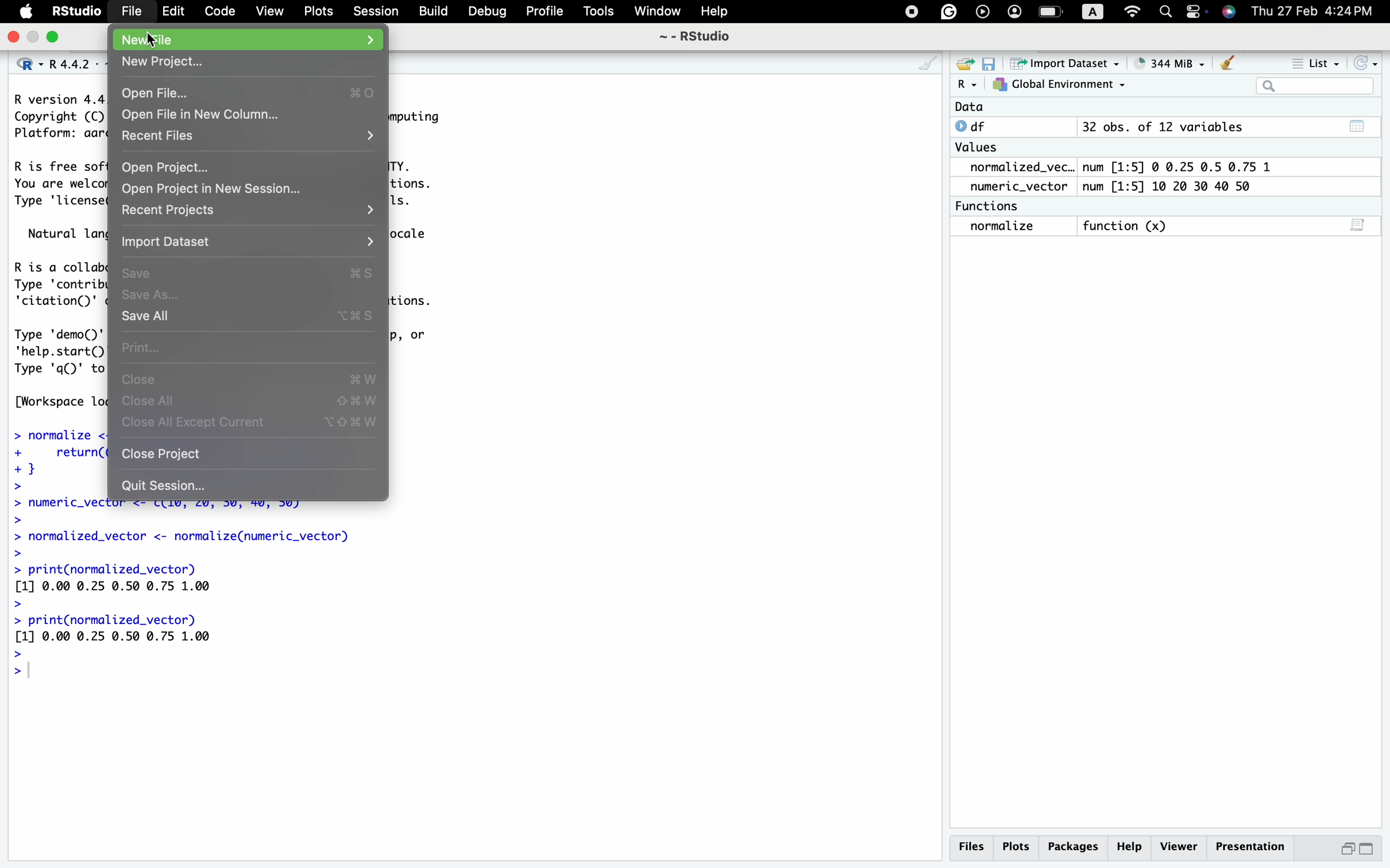 This screenshot has width=1390, height=868. I want to click on Open File in New Column..., so click(199, 114).